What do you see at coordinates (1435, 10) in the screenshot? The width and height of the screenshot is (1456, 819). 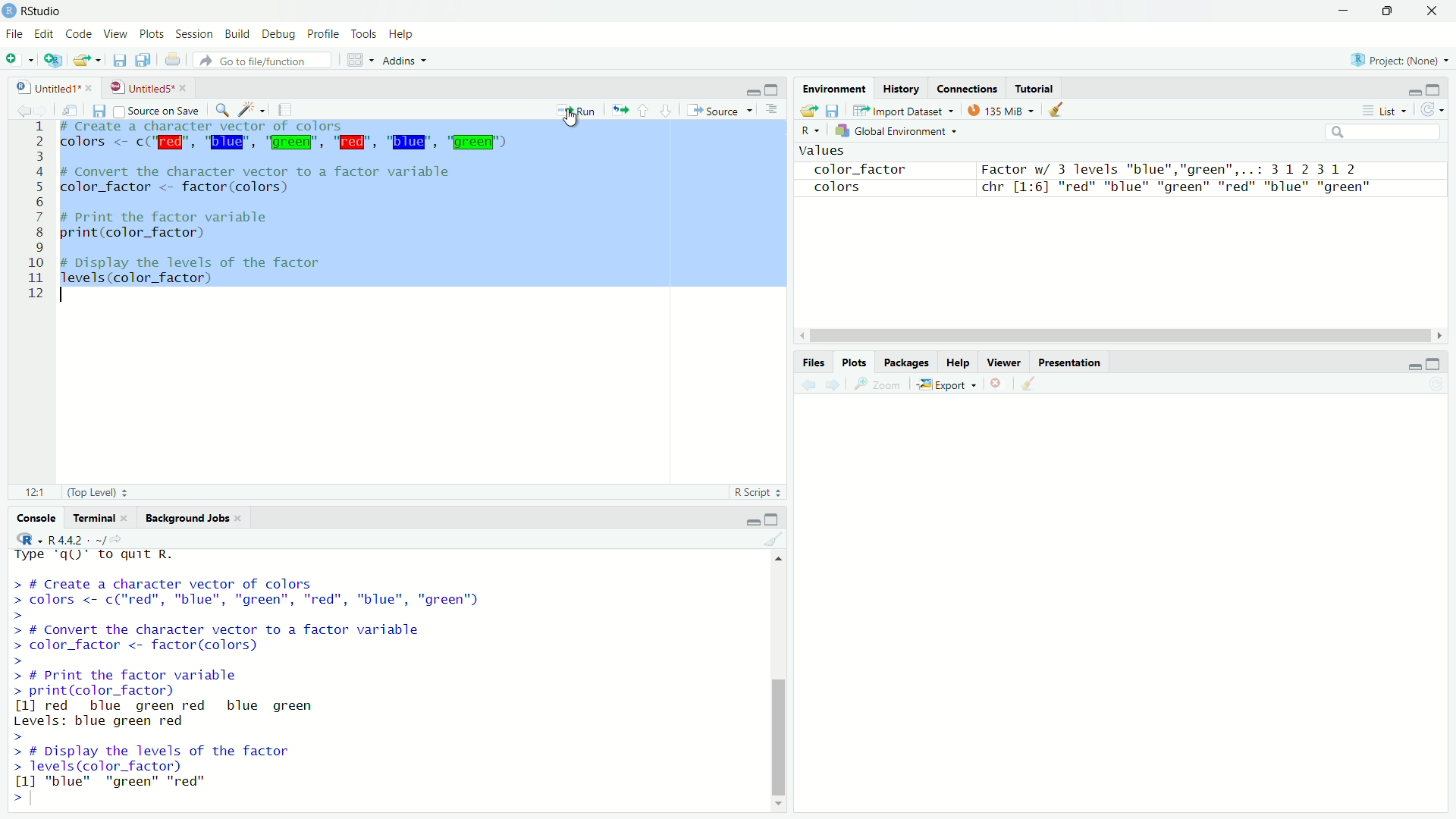 I see `close` at bounding box center [1435, 10].